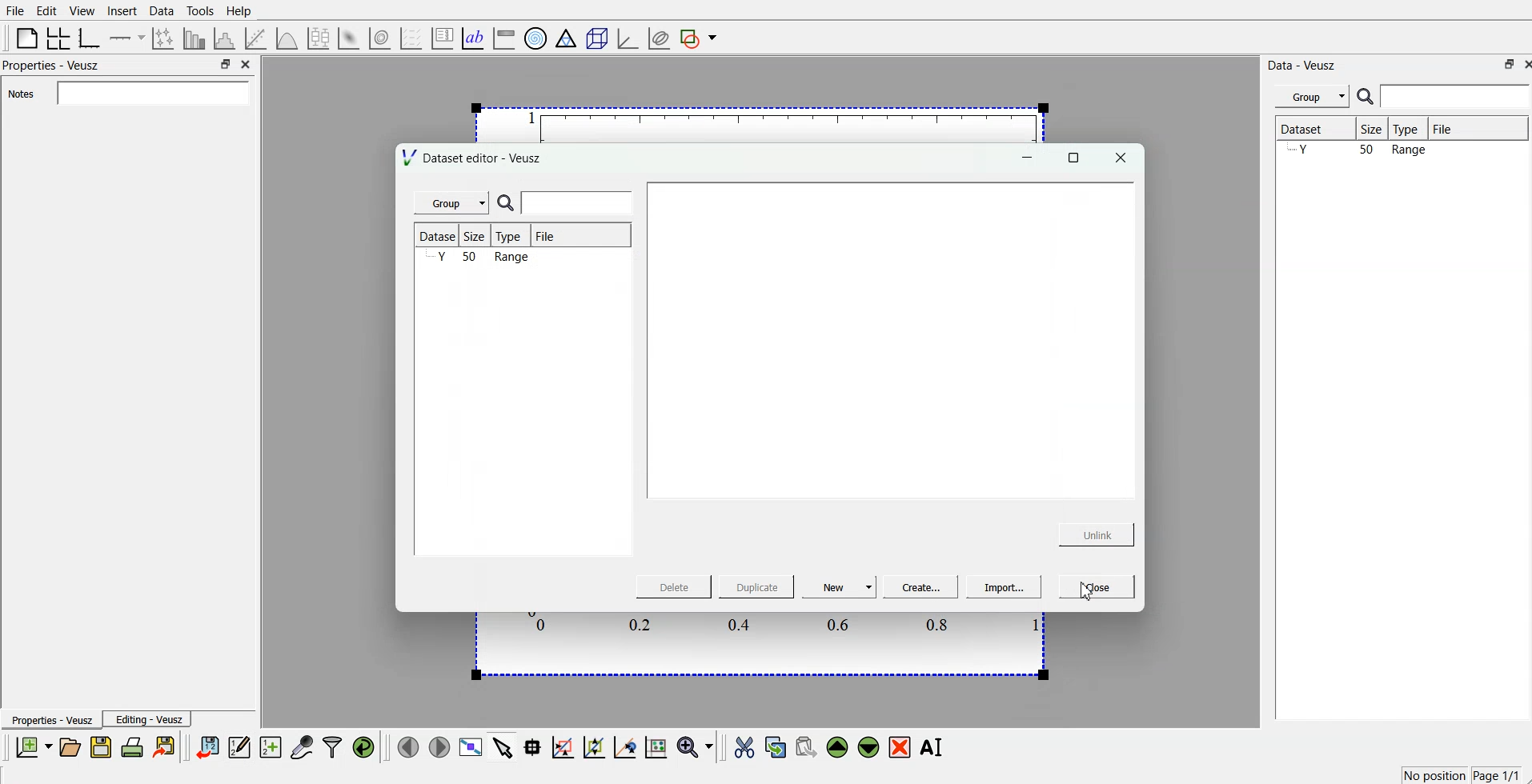  What do you see at coordinates (133, 749) in the screenshot?
I see `print document` at bounding box center [133, 749].